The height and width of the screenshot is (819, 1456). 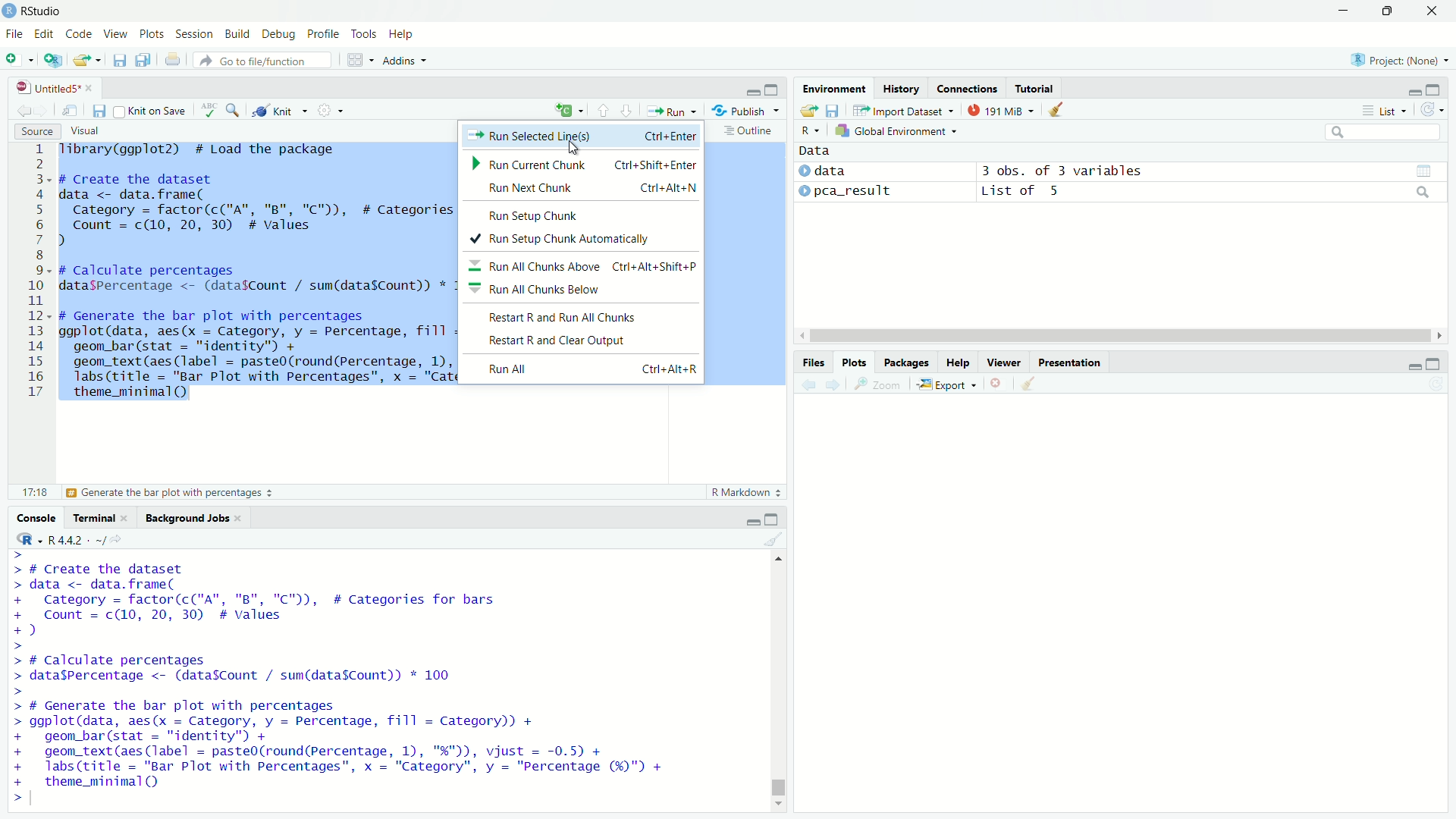 I want to click on minimize, so click(x=1343, y=10).